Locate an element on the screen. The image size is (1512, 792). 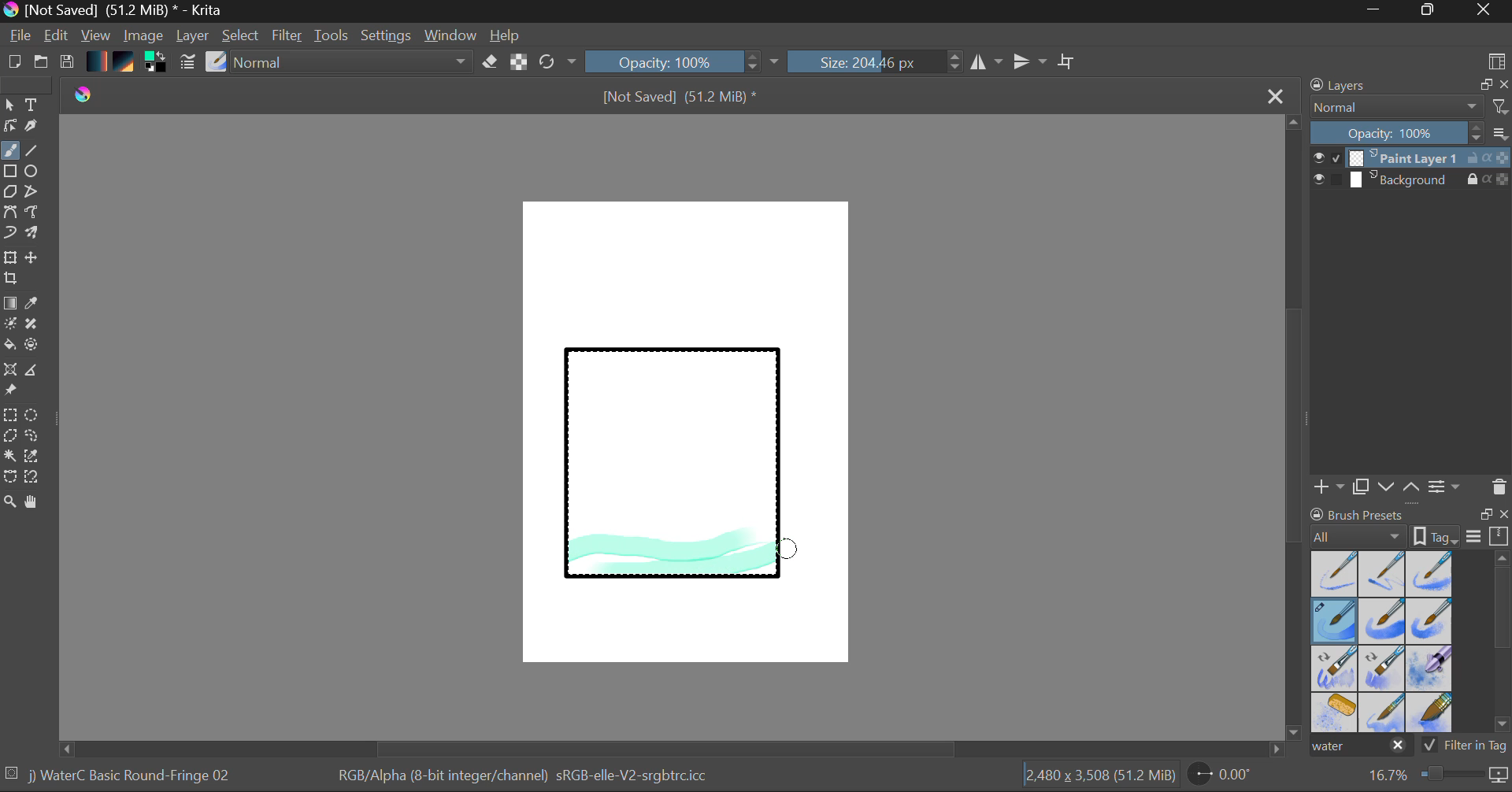
logo is located at coordinates (88, 97).